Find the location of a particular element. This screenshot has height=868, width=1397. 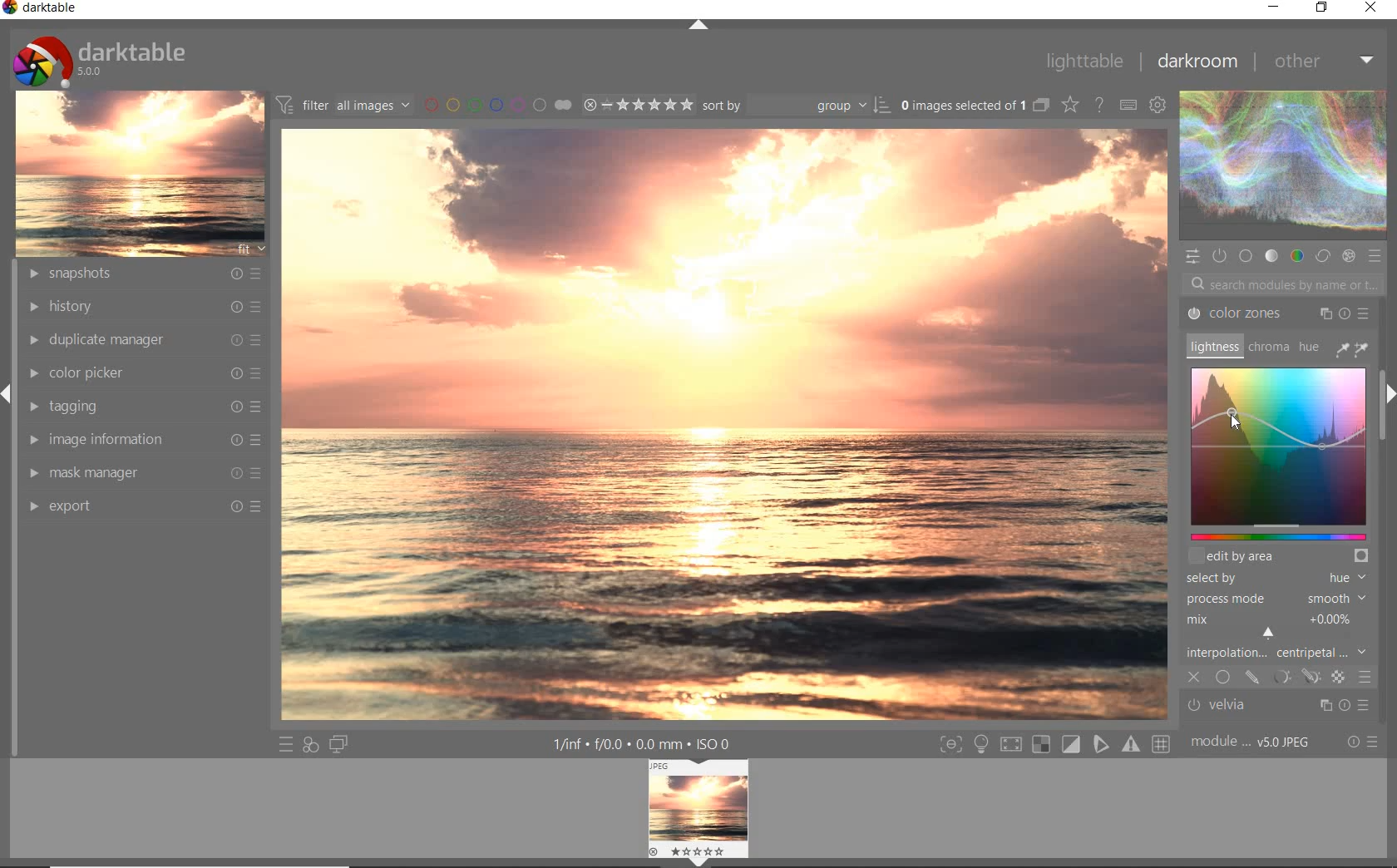

CHROMA is located at coordinates (1267, 348).